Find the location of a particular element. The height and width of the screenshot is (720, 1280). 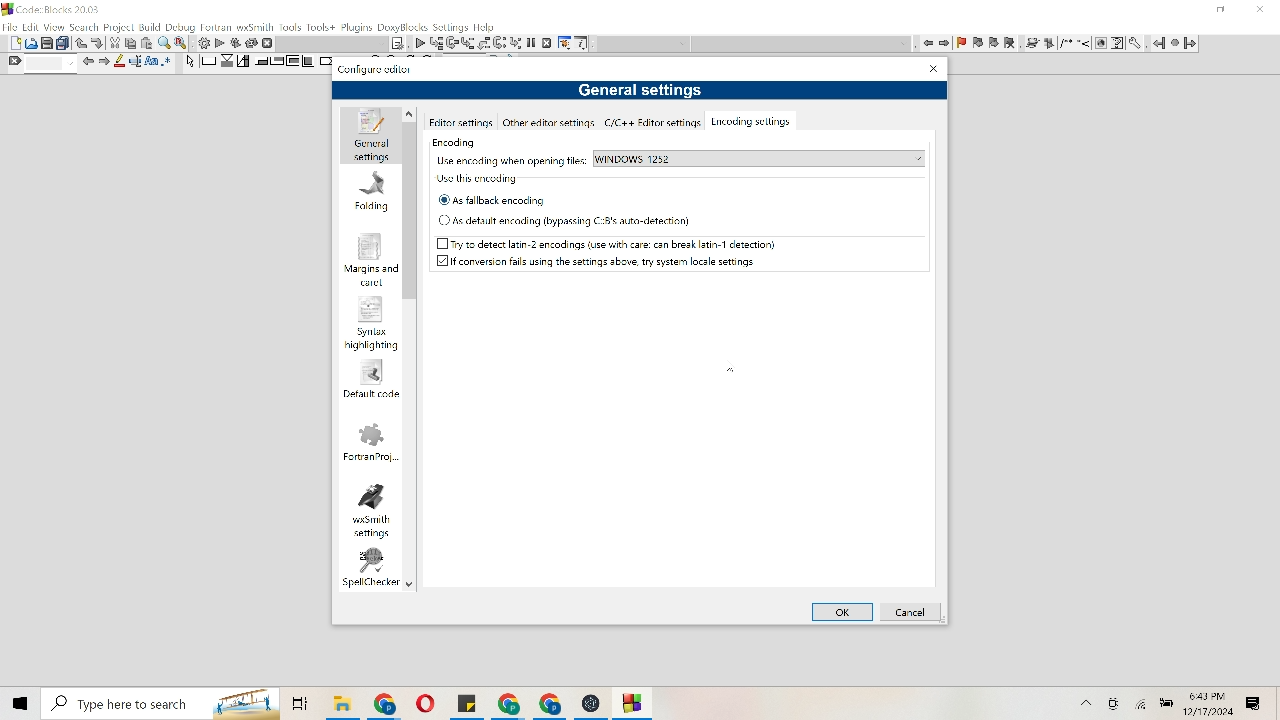

Vertical scroll bar is located at coordinates (412, 348).